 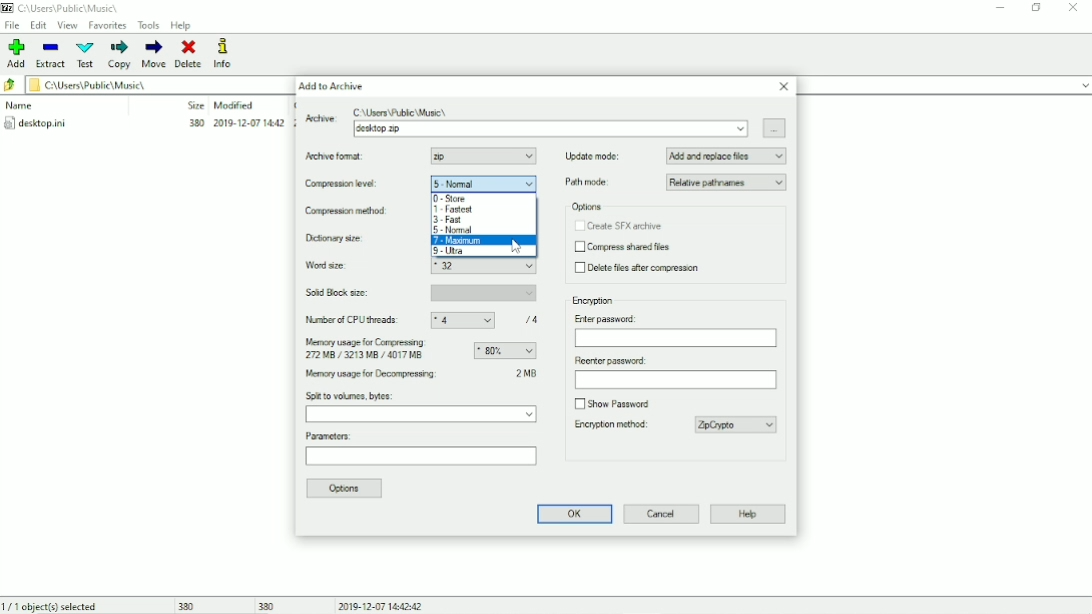 I want to click on View, so click(x=68, y=25).